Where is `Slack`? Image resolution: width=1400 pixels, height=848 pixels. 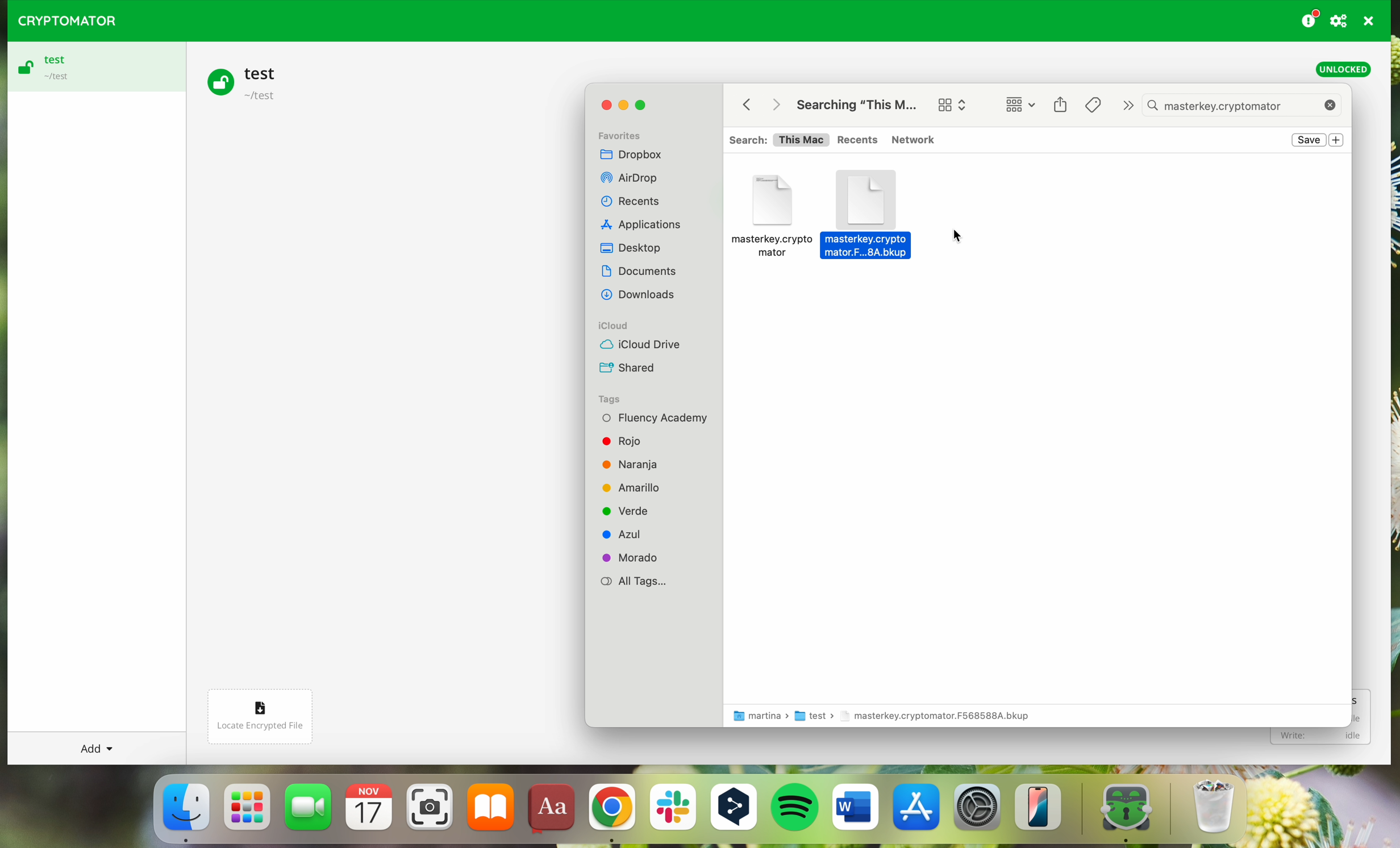 Slack is located at coordinates (672, 812).